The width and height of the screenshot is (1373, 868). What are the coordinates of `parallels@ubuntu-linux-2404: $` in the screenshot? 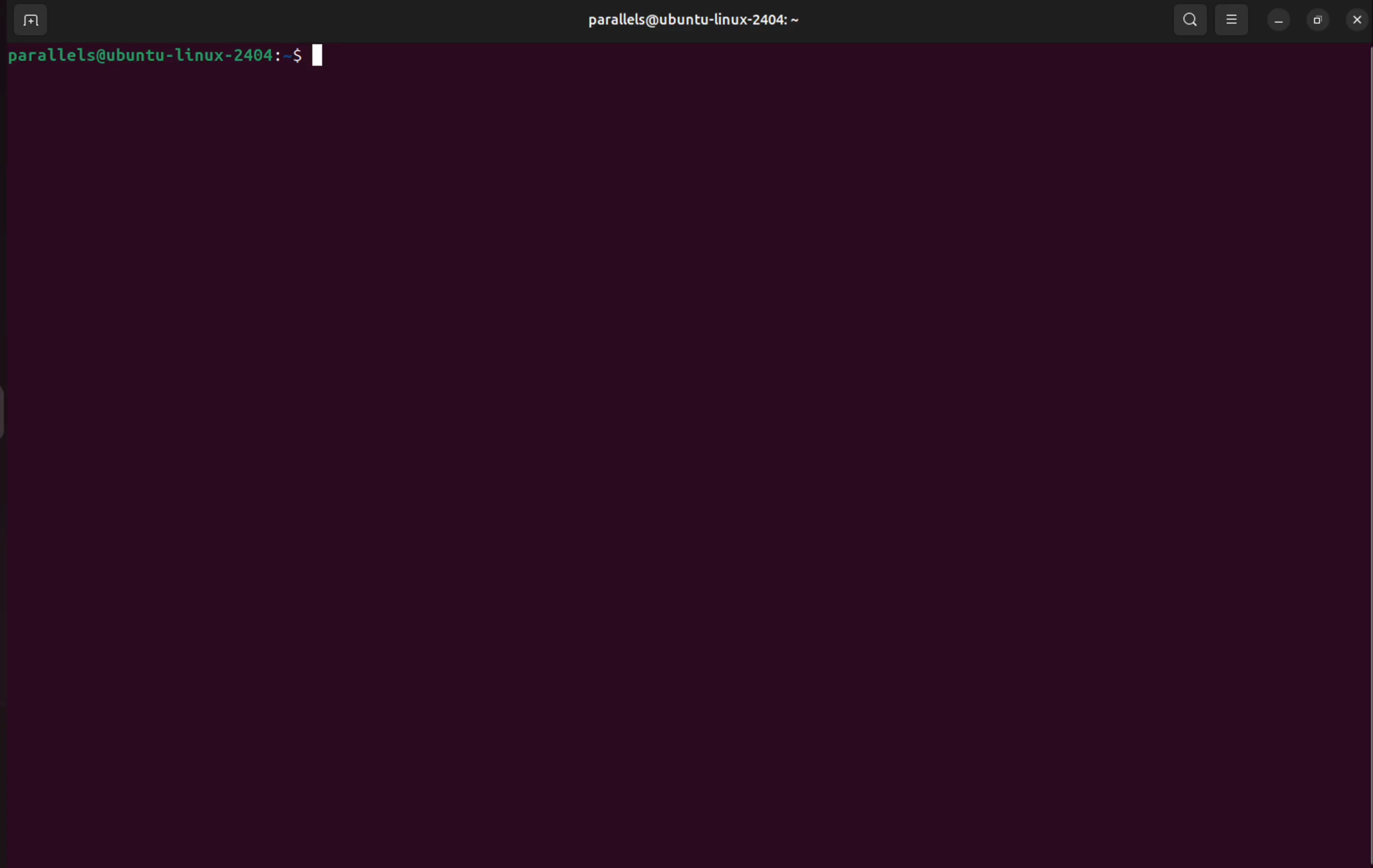 It's located at (211, 58).